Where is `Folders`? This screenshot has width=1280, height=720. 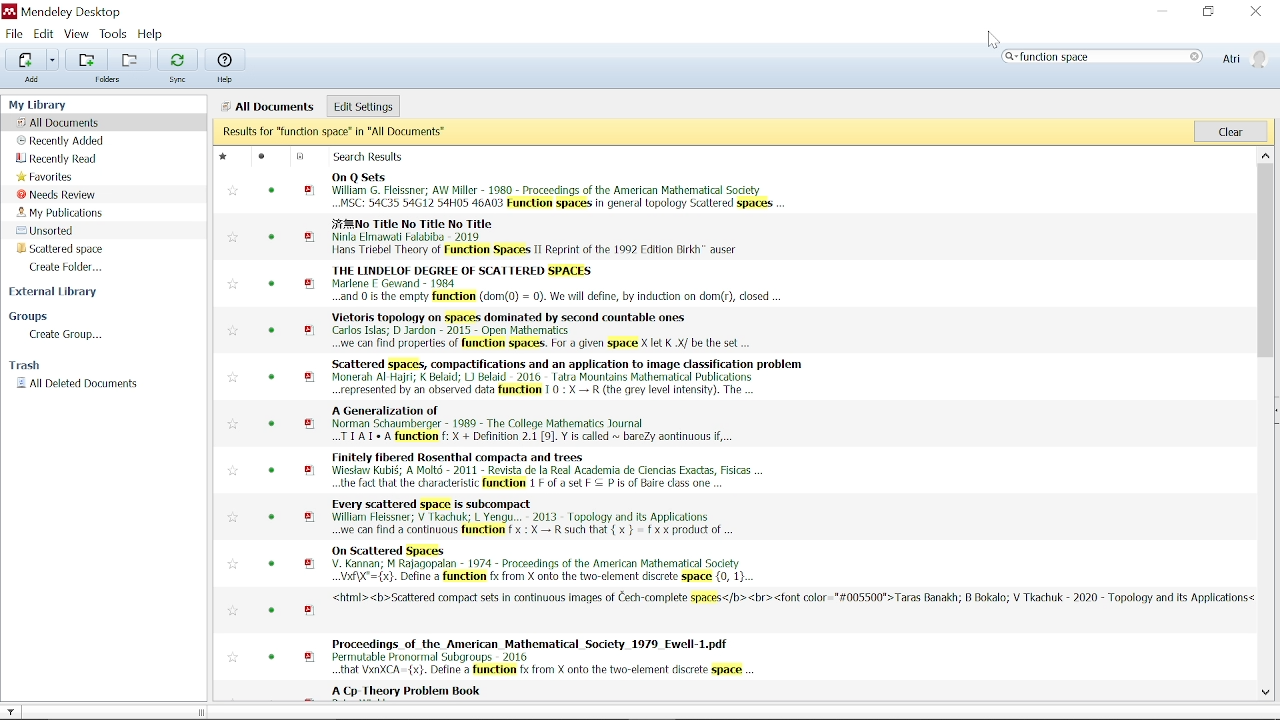 Folders is located at coordinates (106, 79).